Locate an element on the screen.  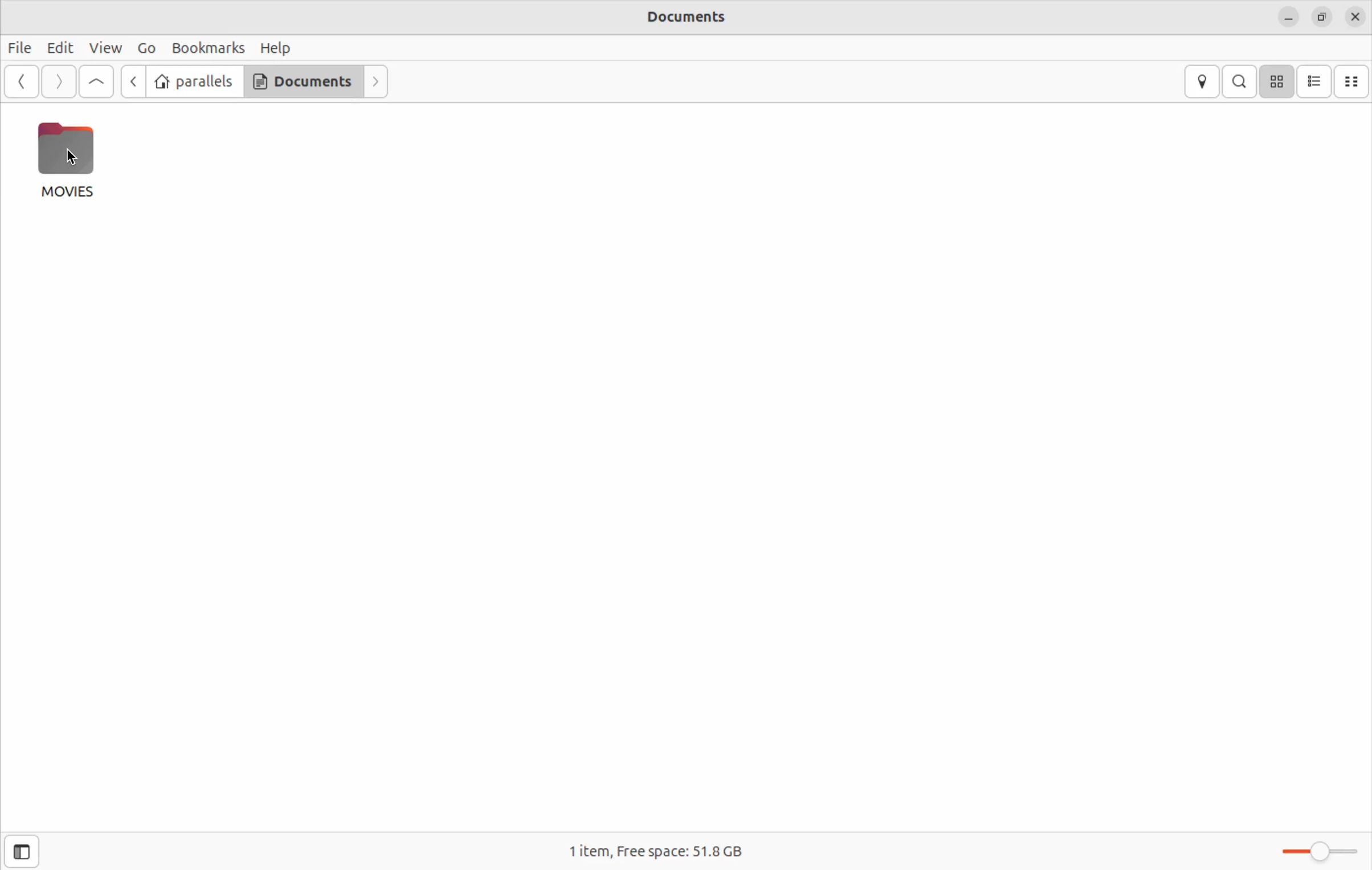
back is located at coordinates (134, 78).